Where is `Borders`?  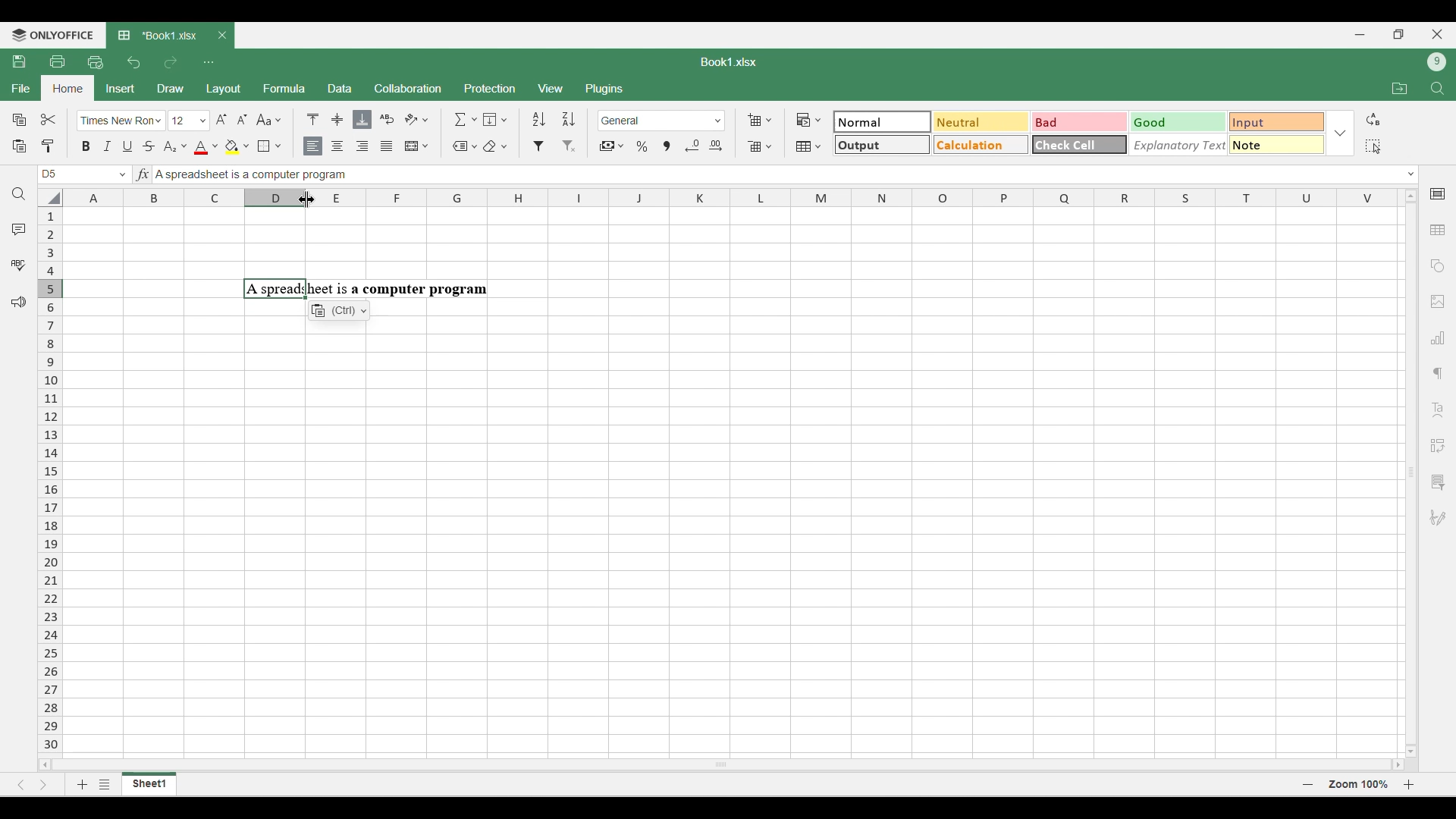
Borders is located at coordinates (269, 146).